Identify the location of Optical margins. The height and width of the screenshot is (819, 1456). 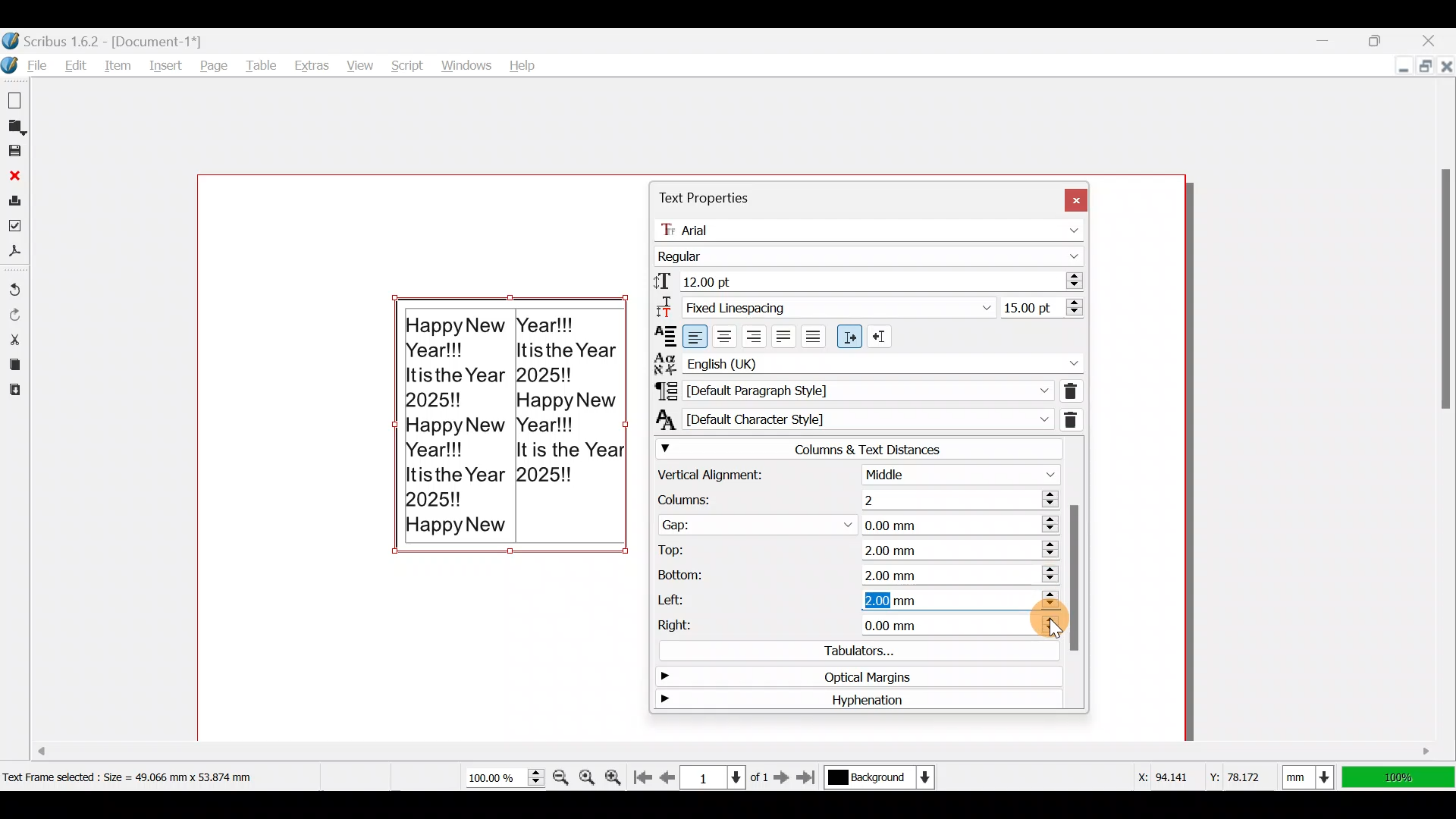
(849, 676).